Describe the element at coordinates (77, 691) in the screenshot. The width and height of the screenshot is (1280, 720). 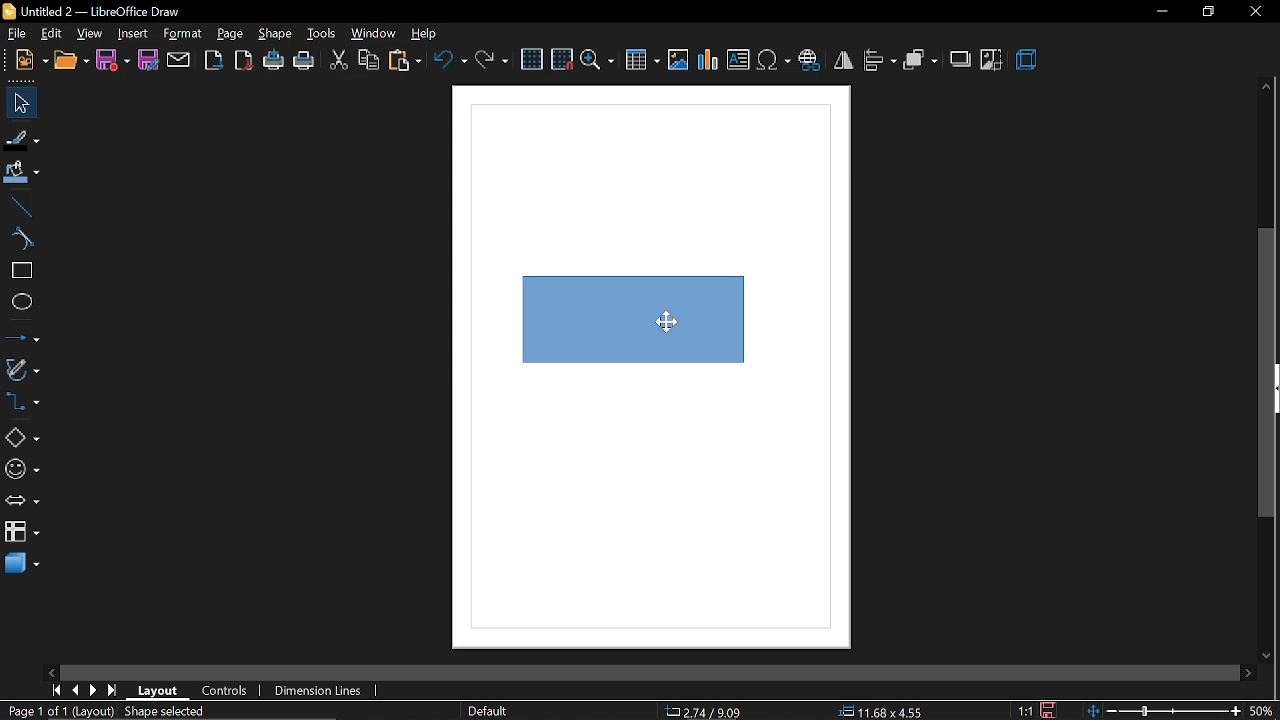
I see `previous page` at that location.